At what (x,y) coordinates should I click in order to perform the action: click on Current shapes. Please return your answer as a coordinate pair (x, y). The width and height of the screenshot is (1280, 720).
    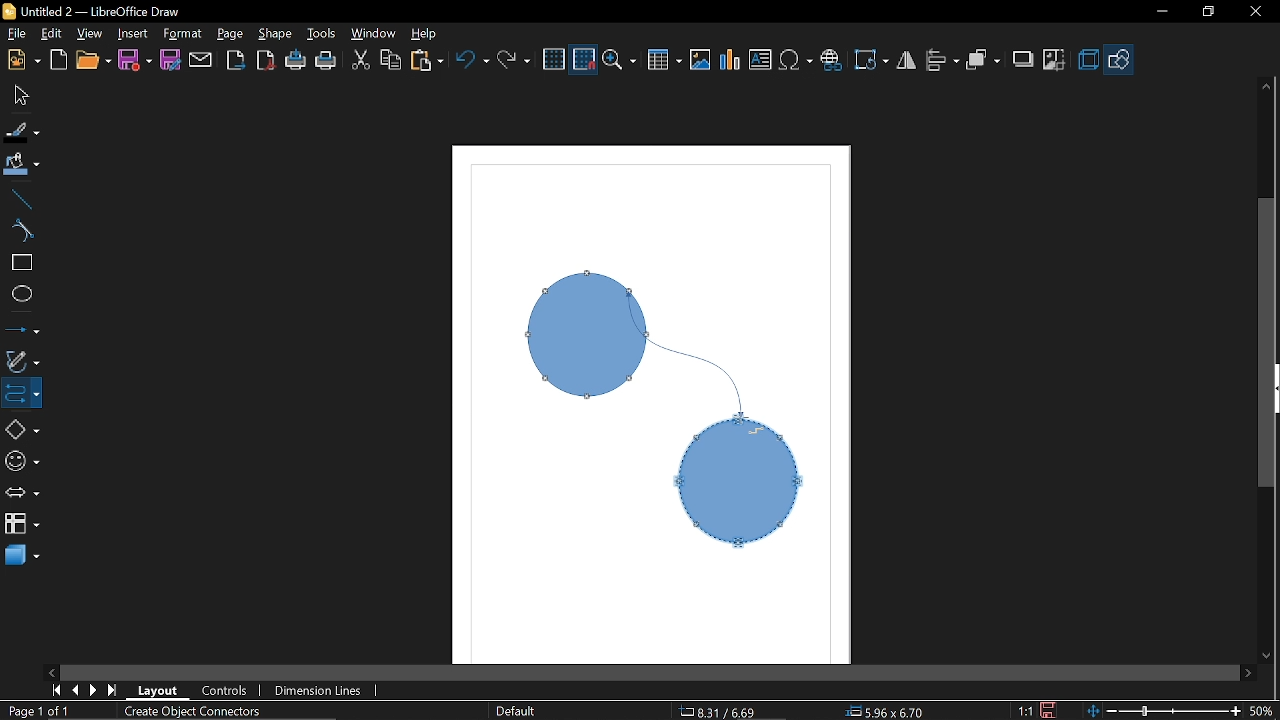
    Looking at the image, I should click on (650, 419).